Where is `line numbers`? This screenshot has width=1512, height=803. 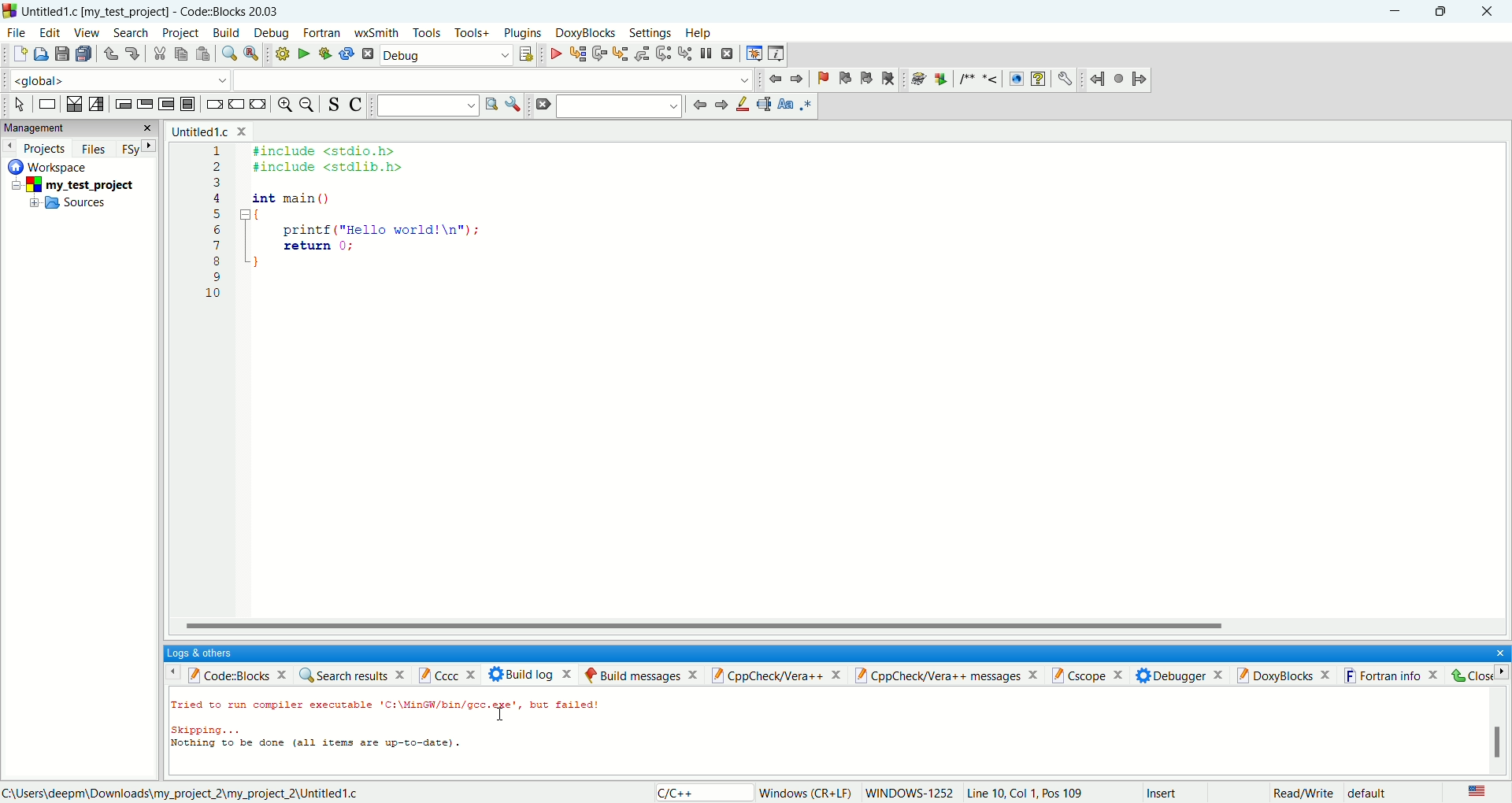 line numbers is located at coordinates (216, 231).